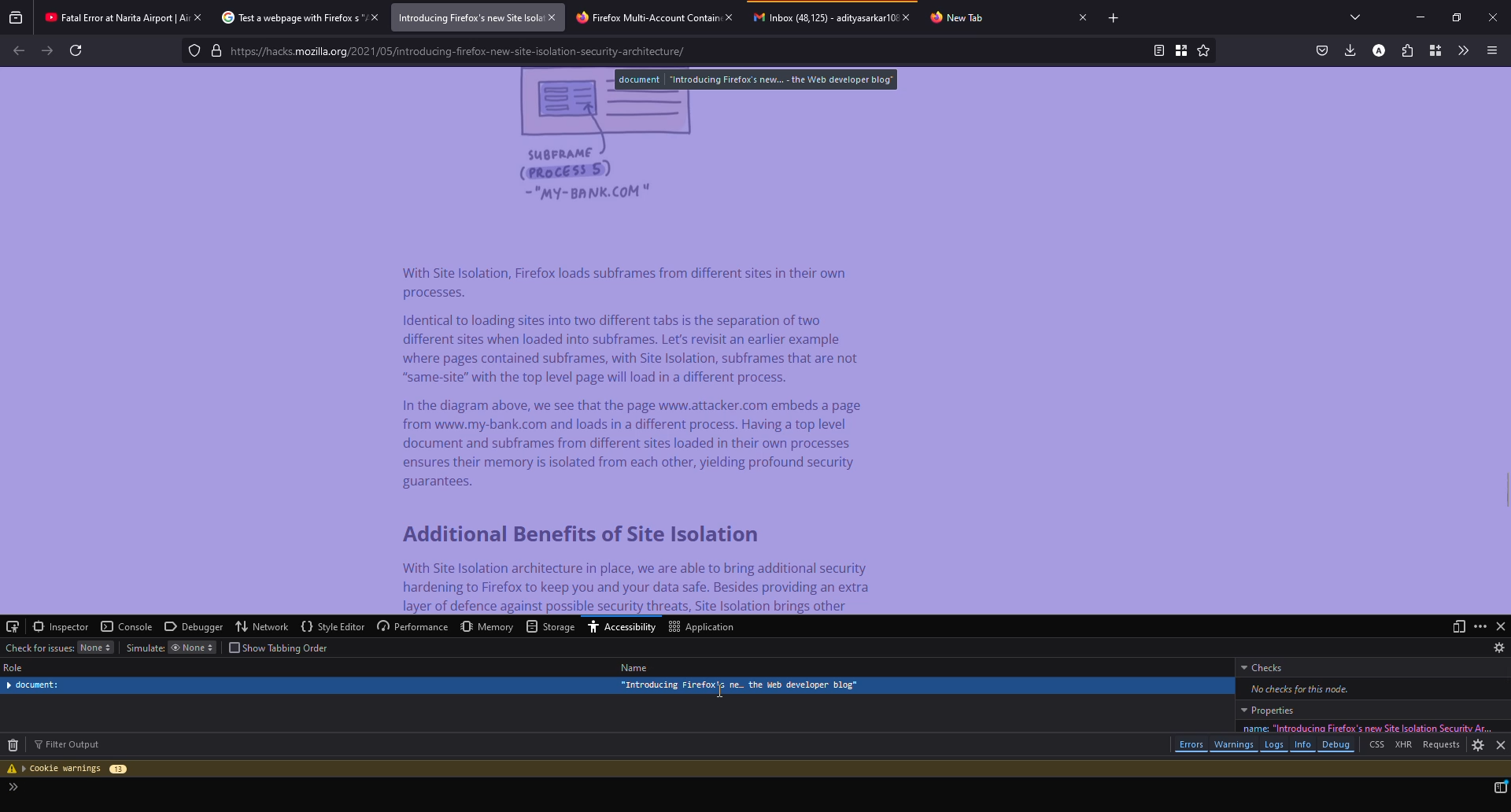  I want to click on info, so click(1304, 744).